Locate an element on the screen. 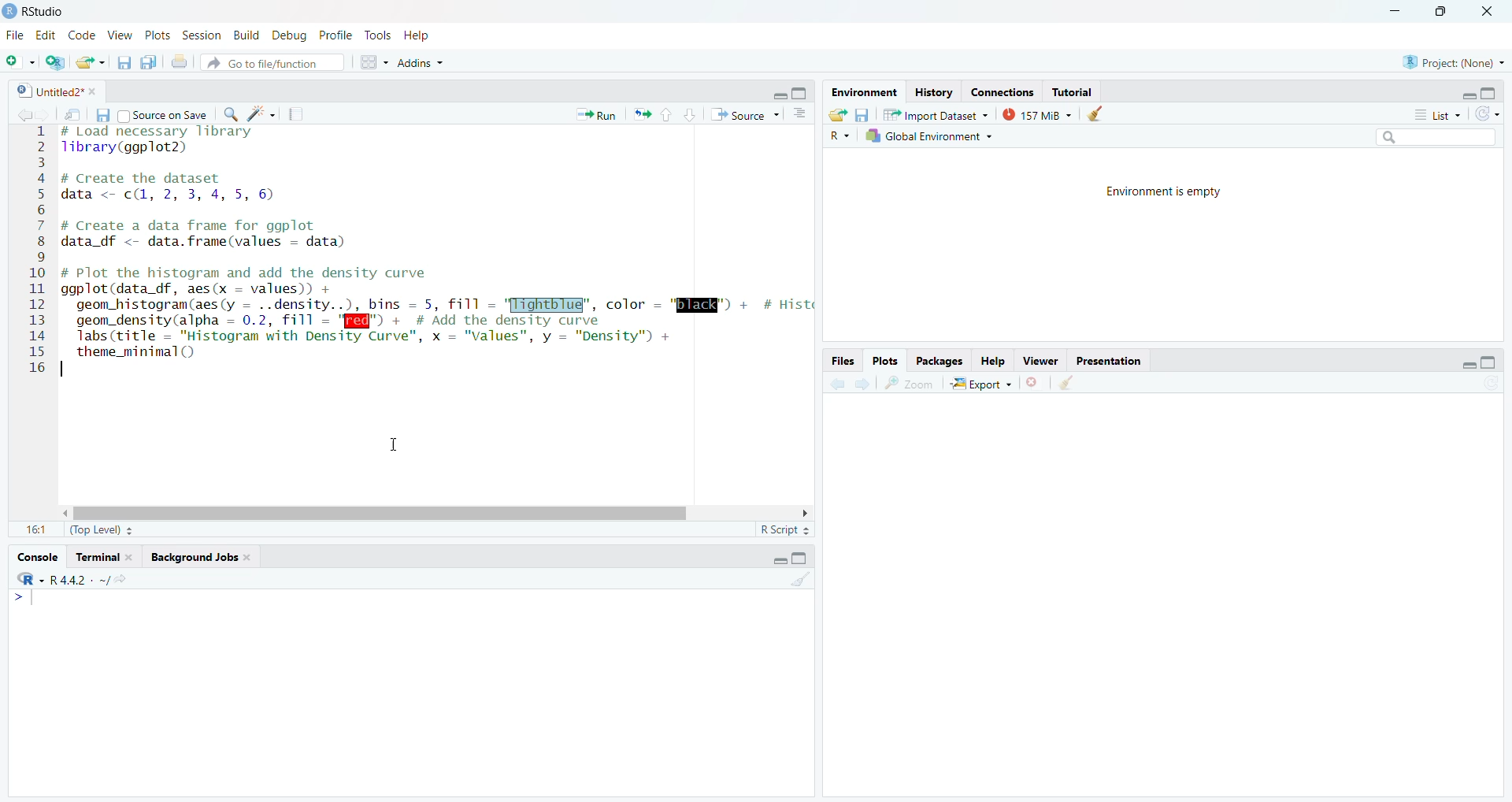 This screenshot has height=802, width=1512. View is located at coordinates (119, 33).